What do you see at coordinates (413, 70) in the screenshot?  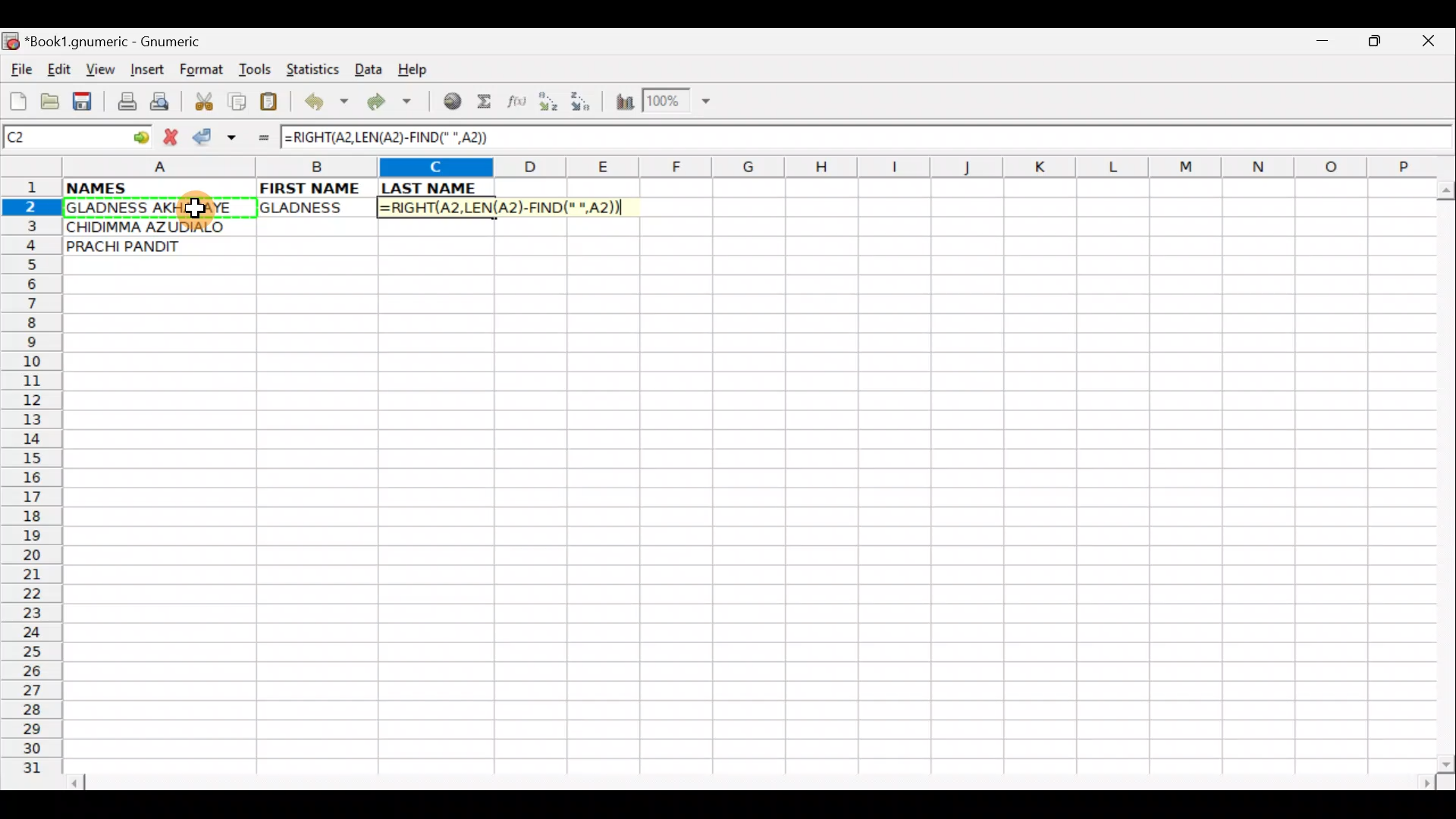 I see `Help` at bounding box center [413, 70].